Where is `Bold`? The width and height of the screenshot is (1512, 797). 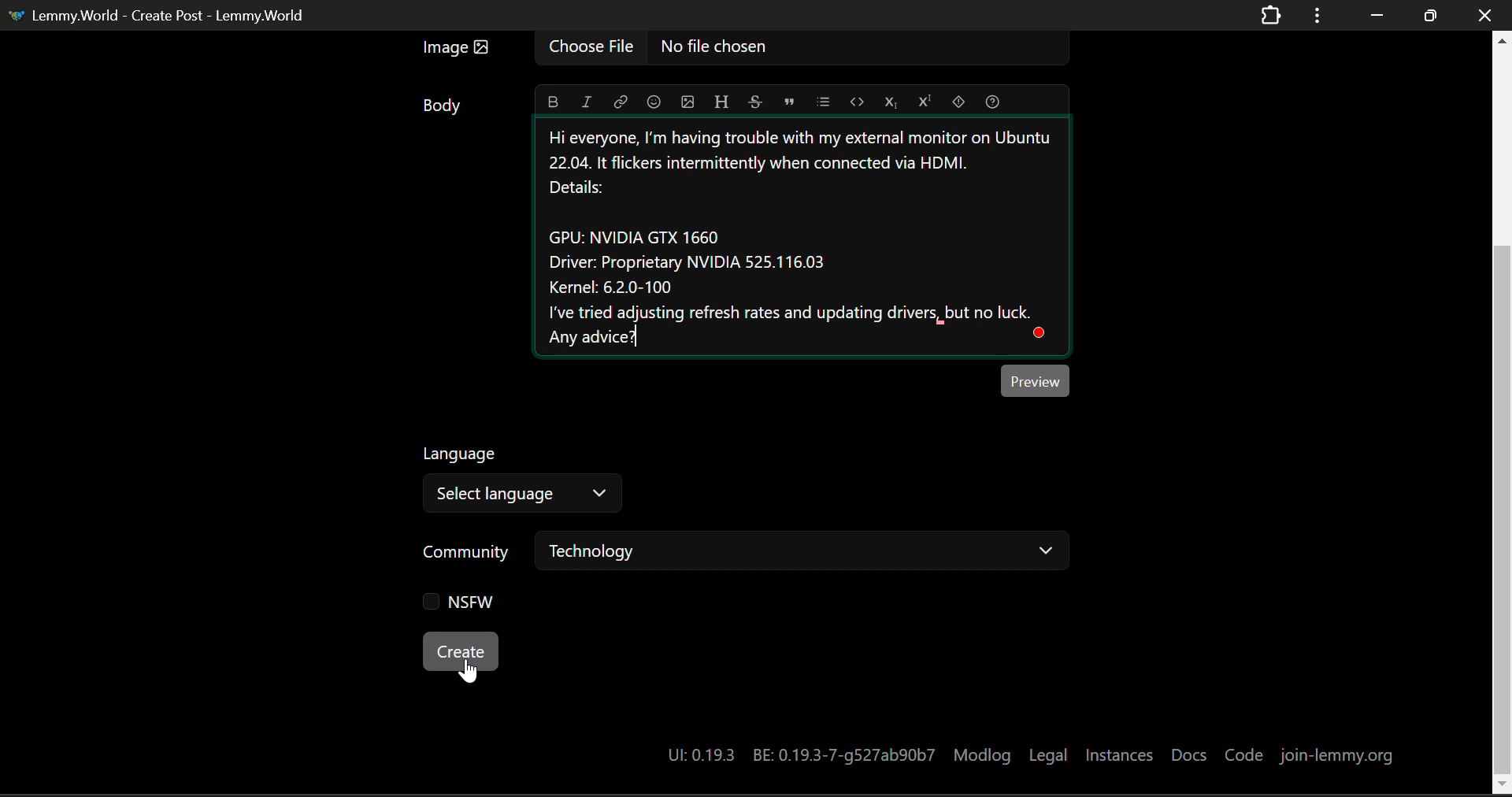
Bold is located at coordinates (554, 102).